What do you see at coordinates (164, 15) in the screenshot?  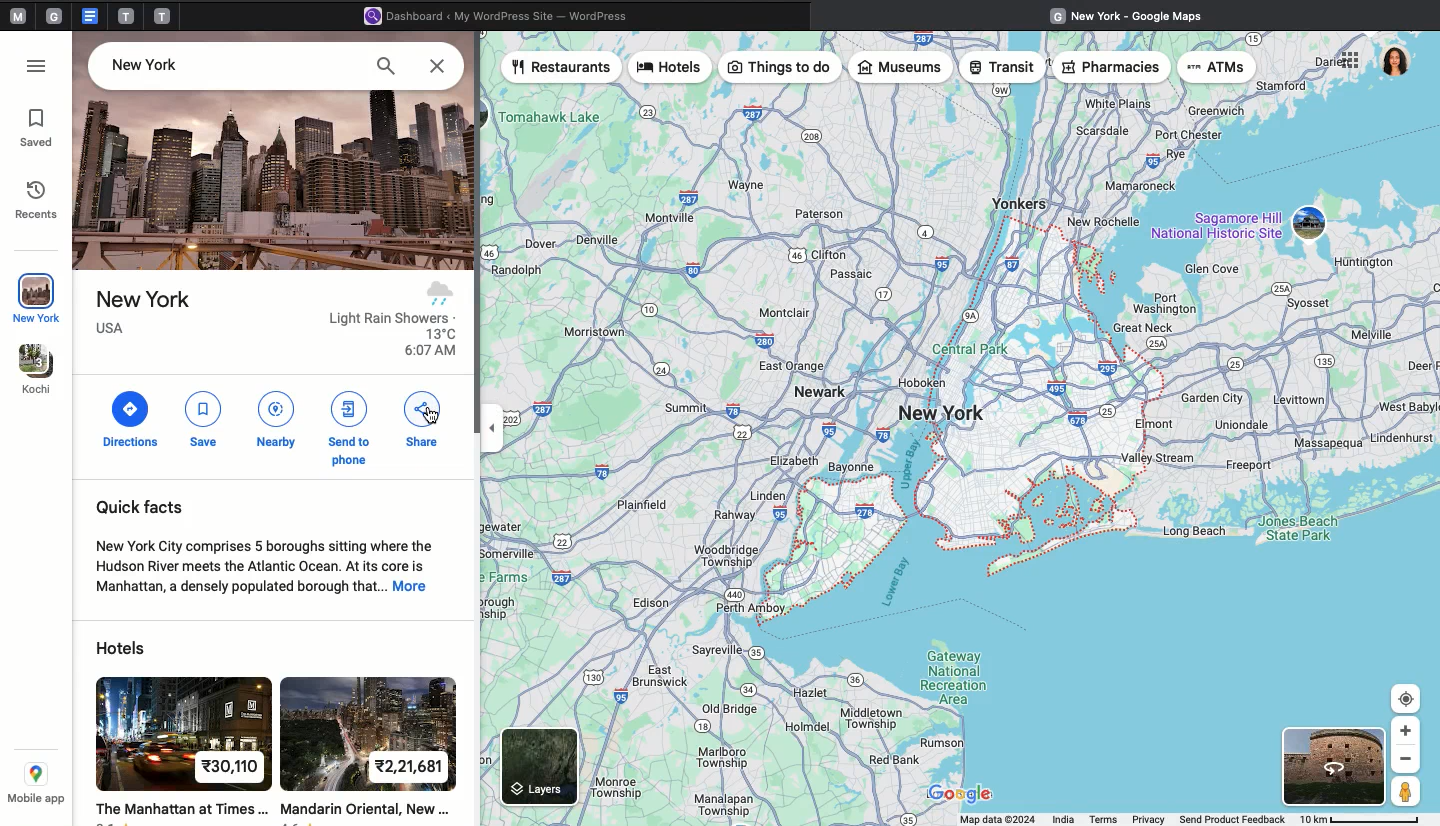 I see `tab` at bounding box center [164, 15].